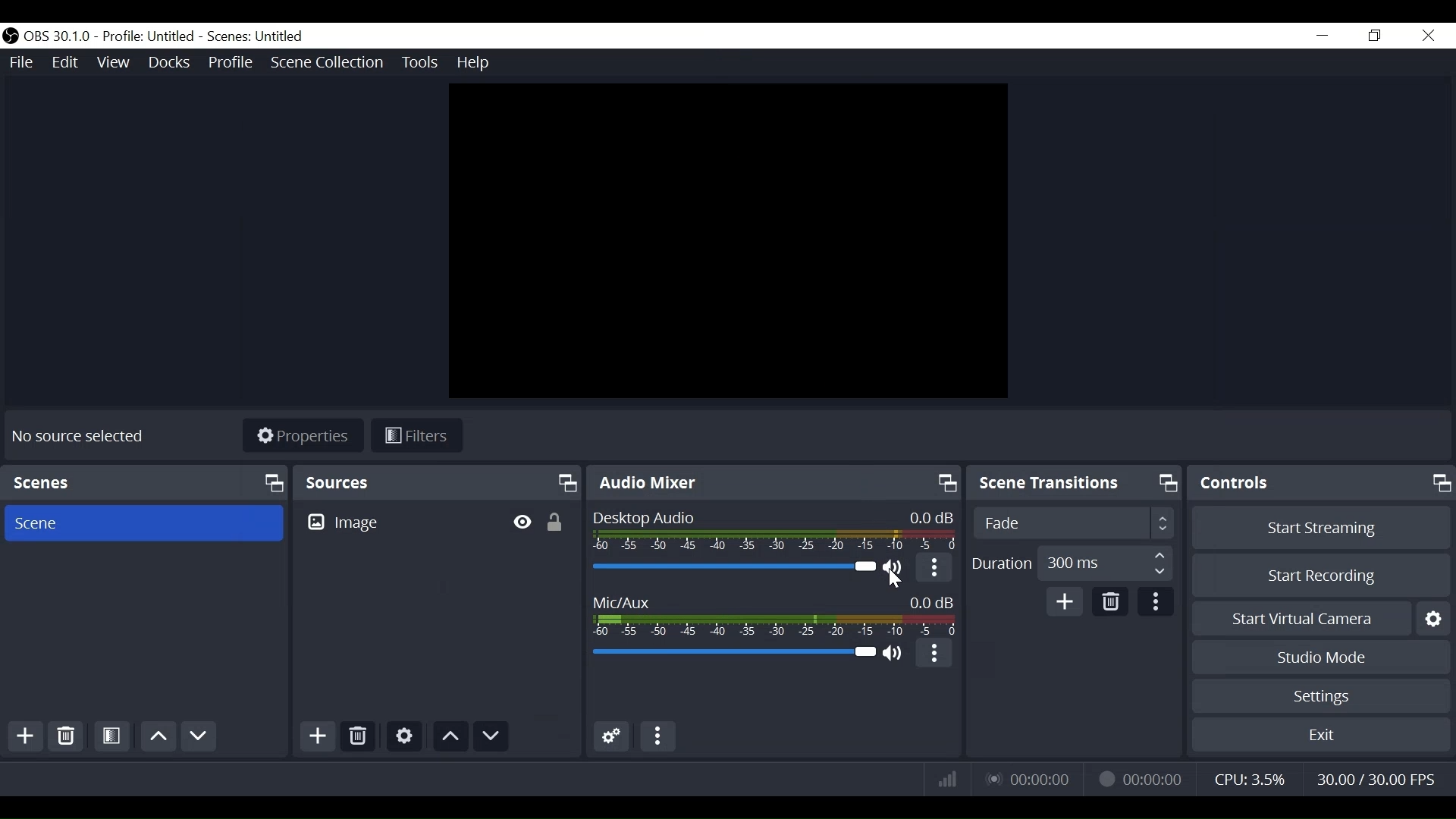 This screenshot has height=819, width=1456. Describe the element at coordinates (157, 736) in the screenshot. I see `Move up` at that location.